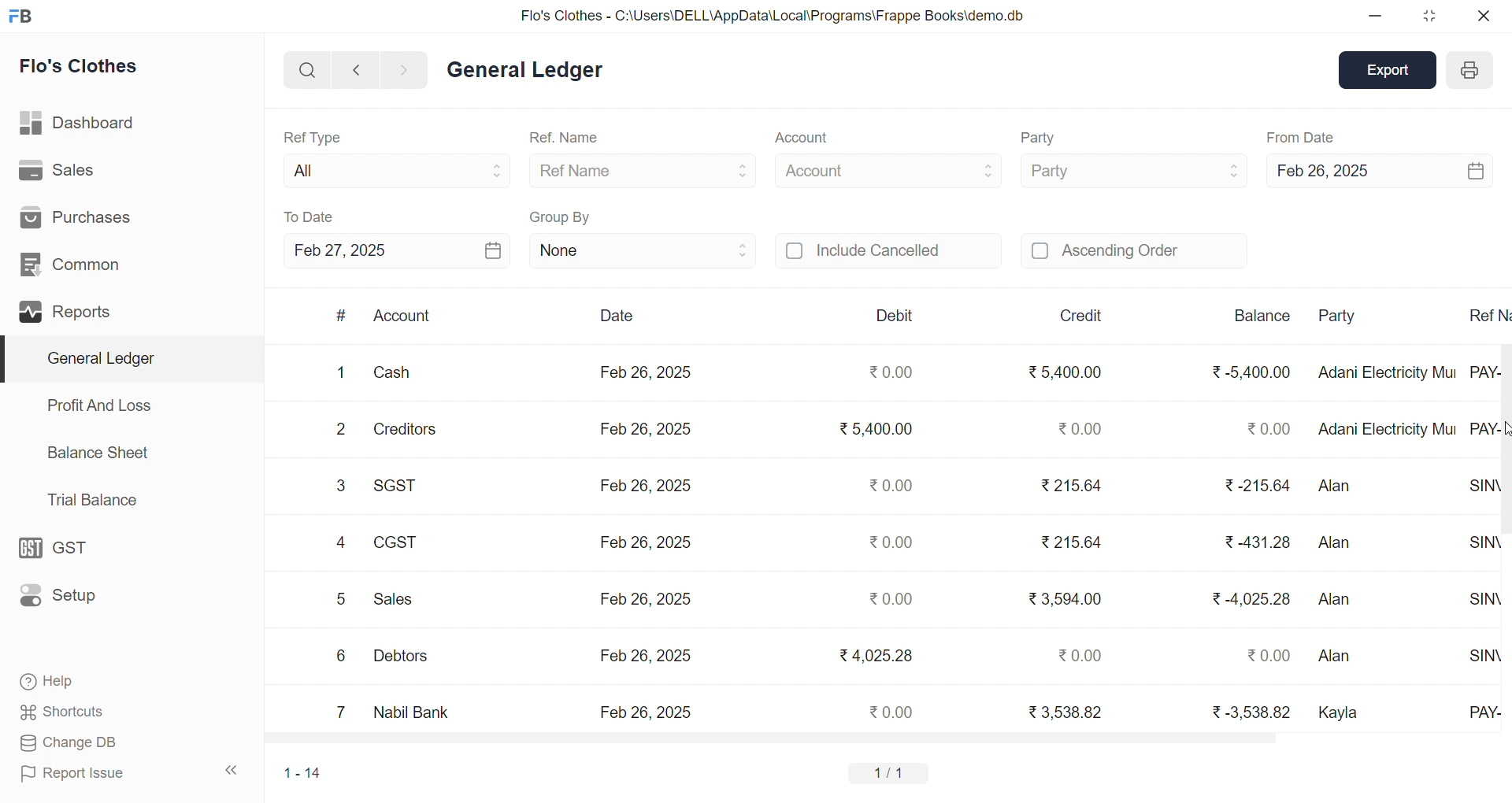 The image size is (1512, 803). What do you see at coordinates (68, 309) in the screenshot?
I see `Reports` at bounding box center [68, 309].